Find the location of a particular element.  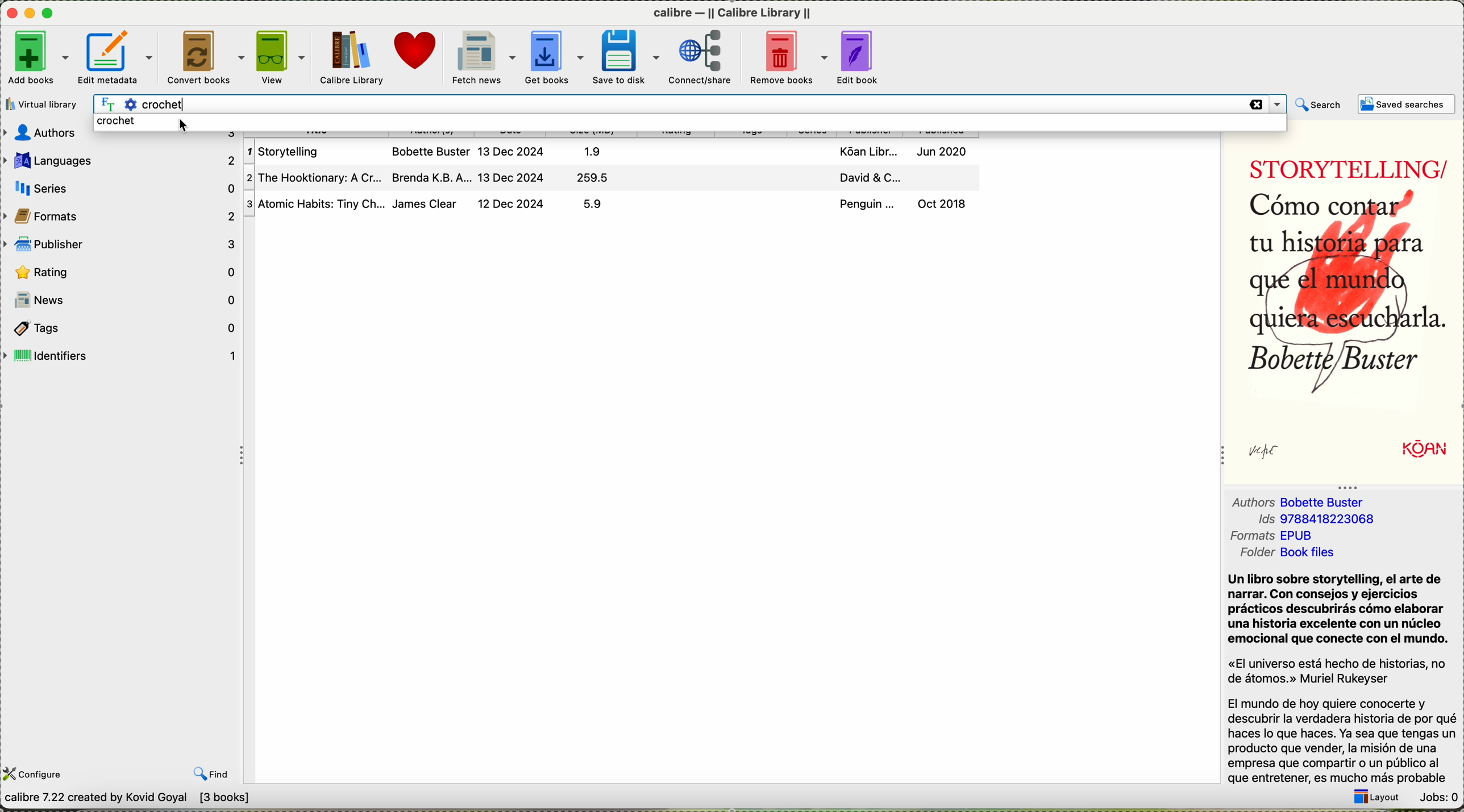

edit metadata is located at coordinates (117, 57).